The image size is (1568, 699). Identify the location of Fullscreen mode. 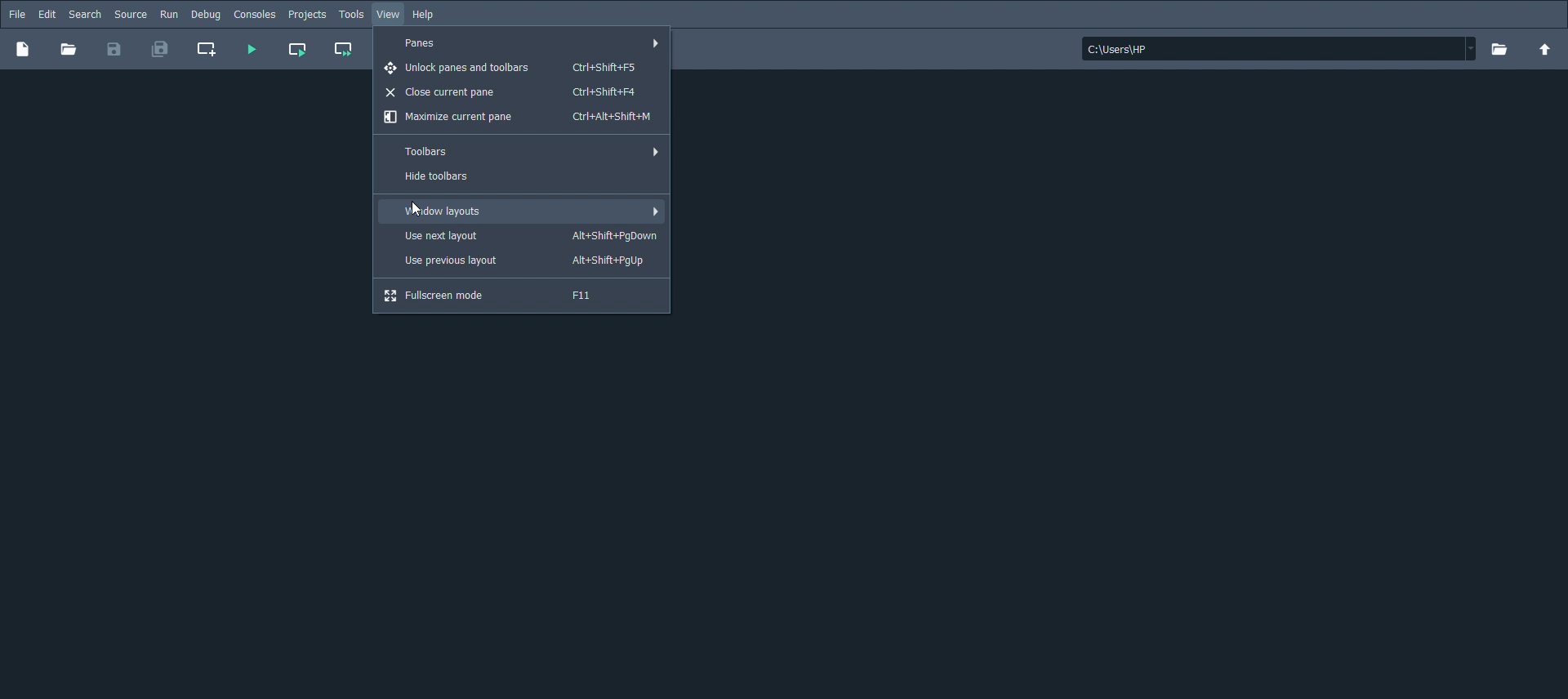
(497, 296).